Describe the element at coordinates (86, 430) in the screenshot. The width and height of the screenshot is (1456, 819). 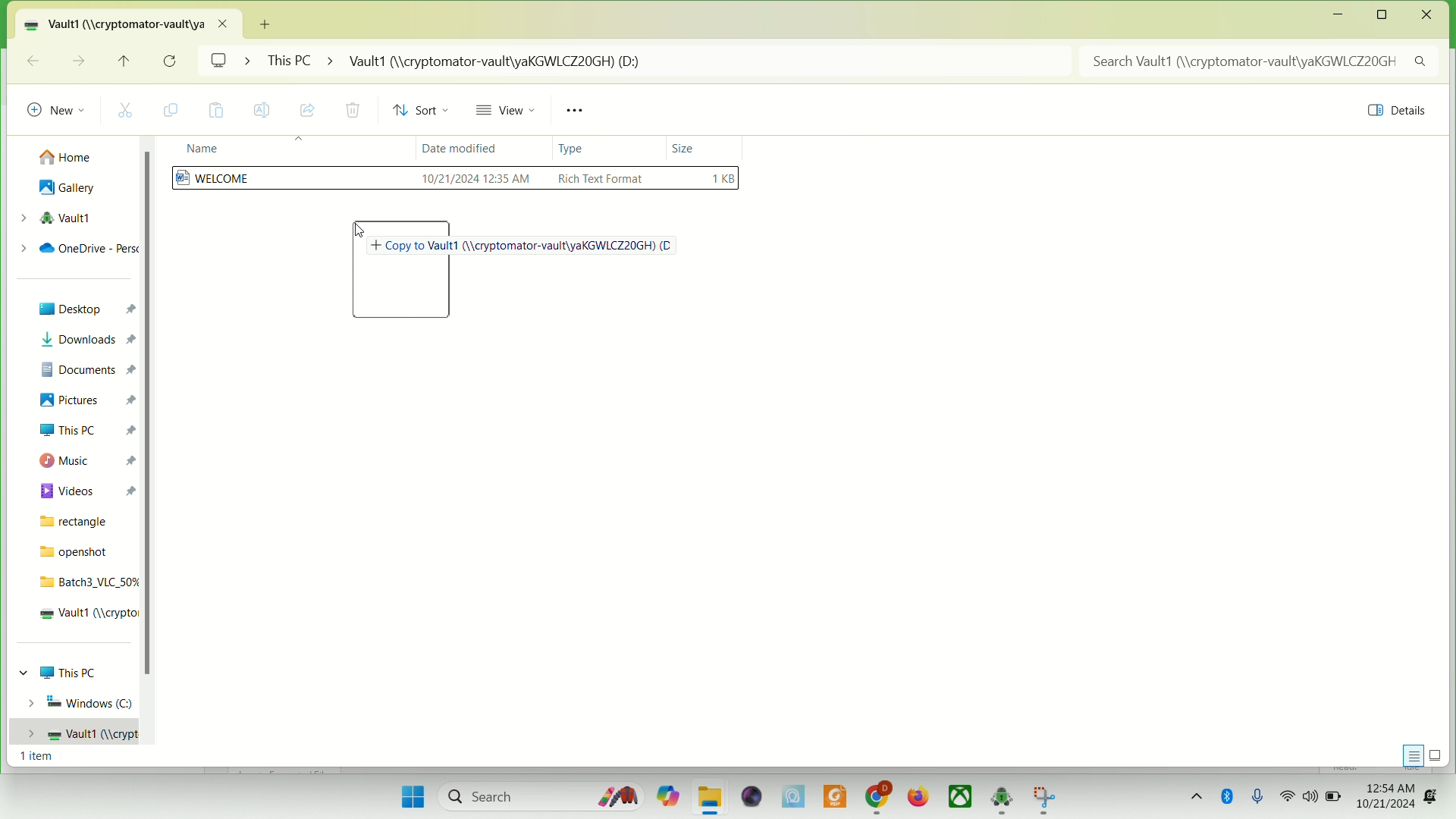
I see `this PC` at that location.